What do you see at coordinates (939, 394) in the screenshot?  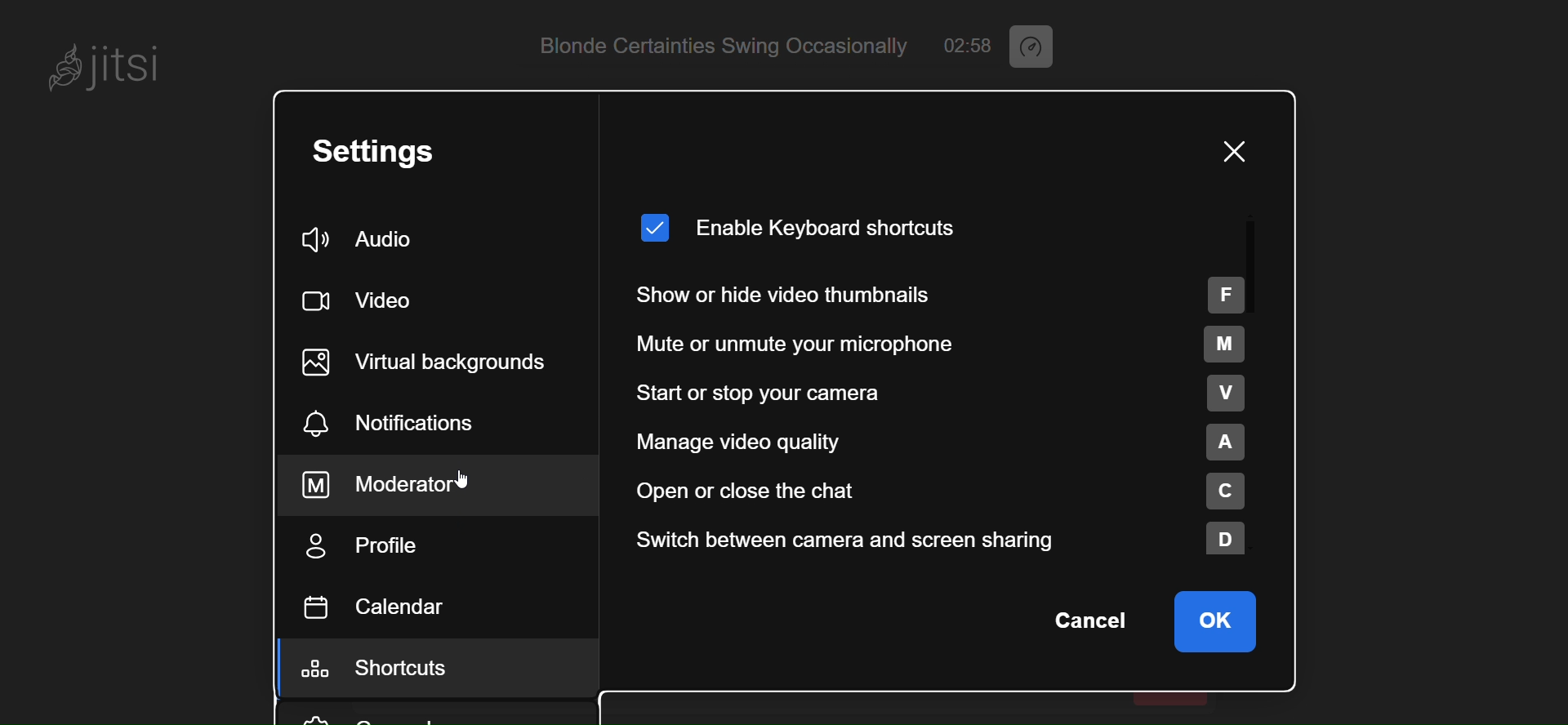 I see `start or stop your camera` at bounding box center [939, 394].